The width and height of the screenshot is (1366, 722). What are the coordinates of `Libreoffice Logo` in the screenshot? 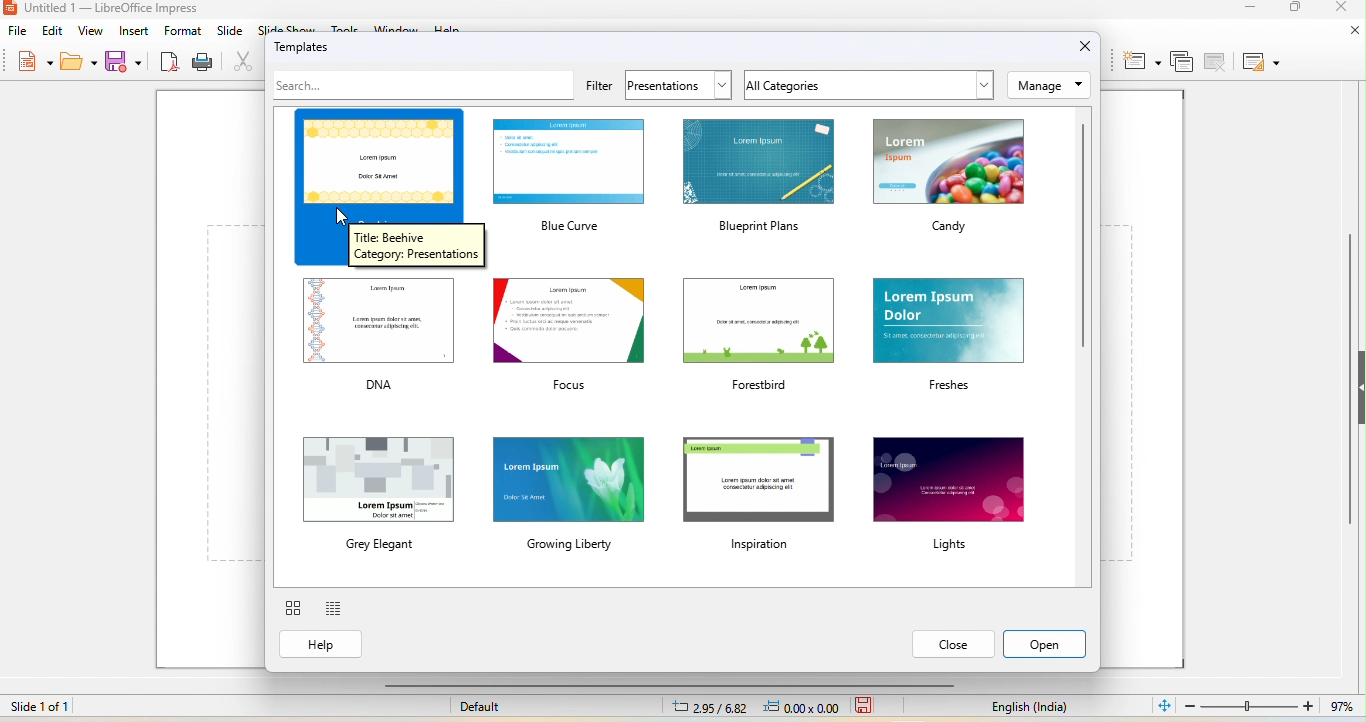 It's located at (10, 9).